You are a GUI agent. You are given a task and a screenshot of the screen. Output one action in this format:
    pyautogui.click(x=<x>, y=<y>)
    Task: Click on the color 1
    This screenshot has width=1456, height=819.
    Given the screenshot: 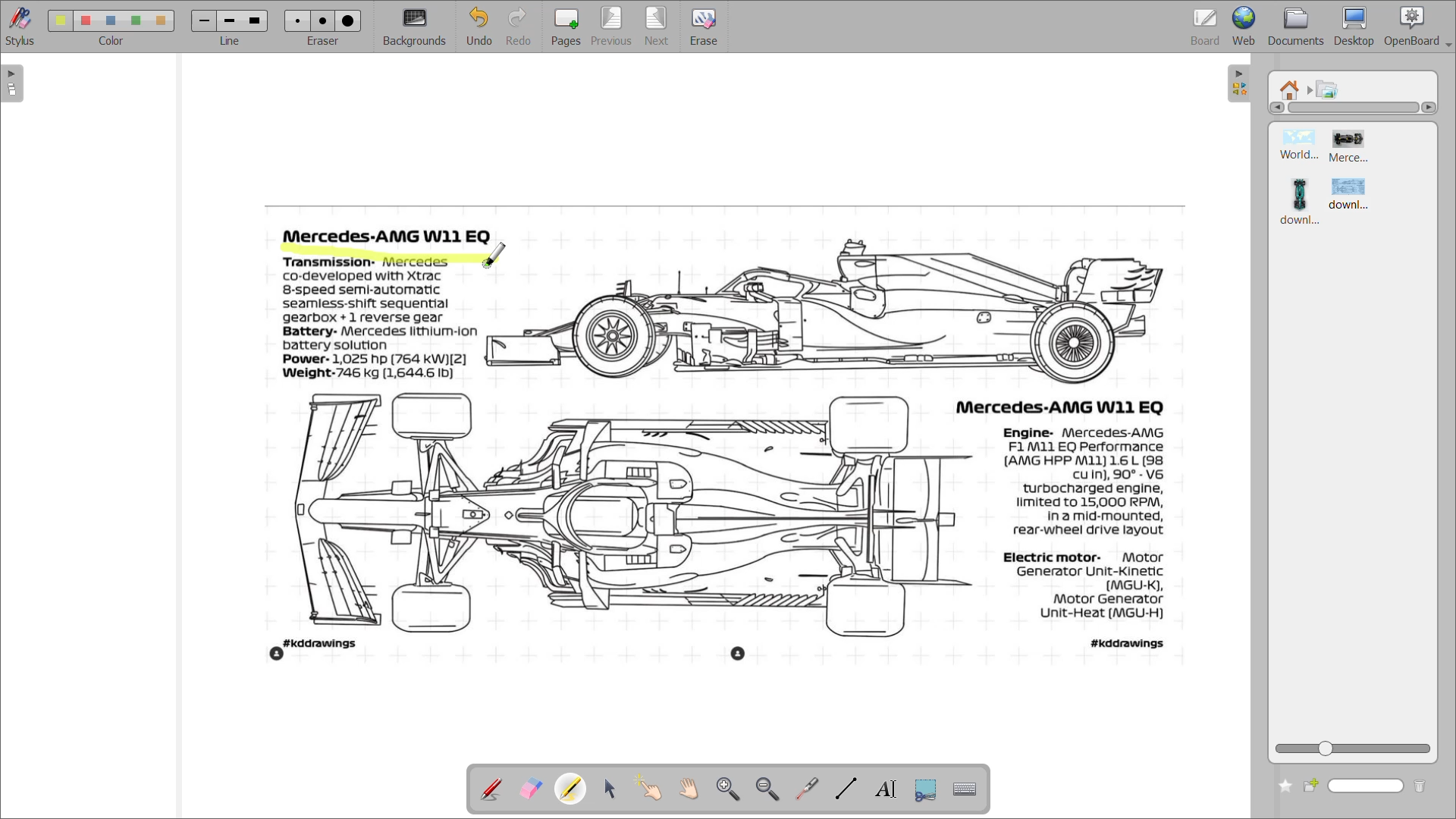 What is the action you would take?
    pyautogui.click(x=58, y=21)
    